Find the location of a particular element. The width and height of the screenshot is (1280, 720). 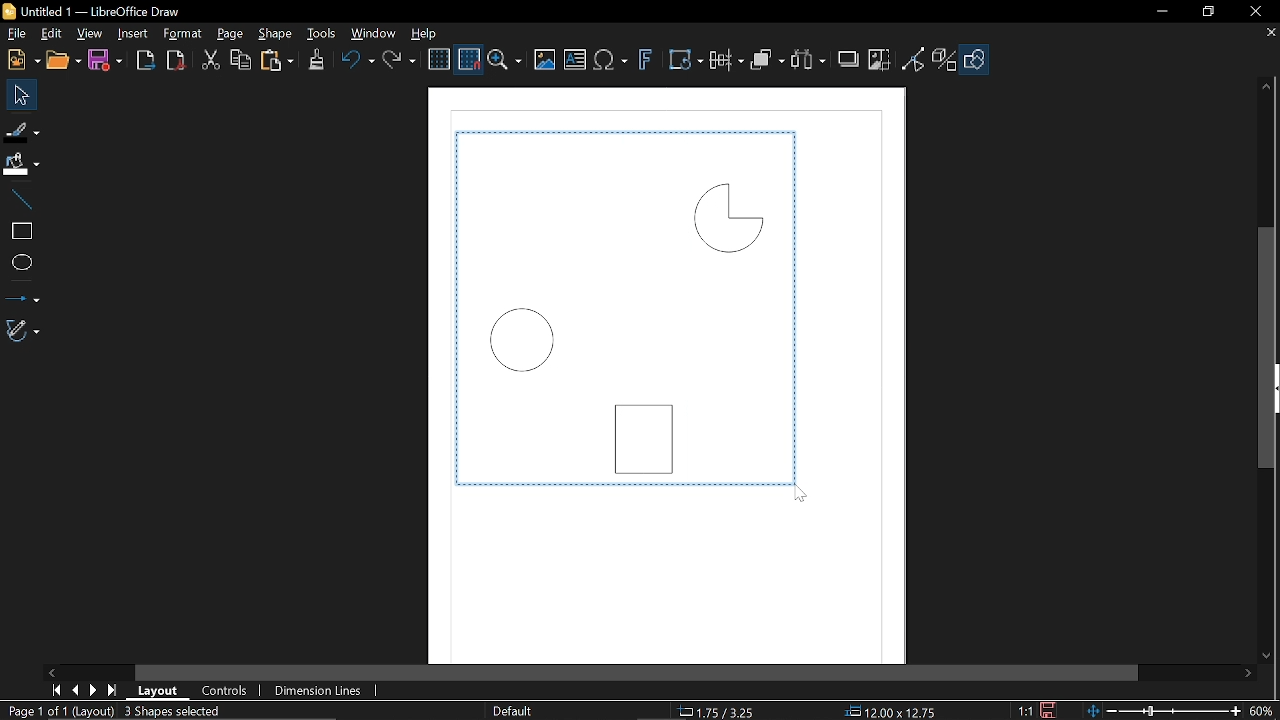

Line around selected objects is located at coordinates (800, 304).